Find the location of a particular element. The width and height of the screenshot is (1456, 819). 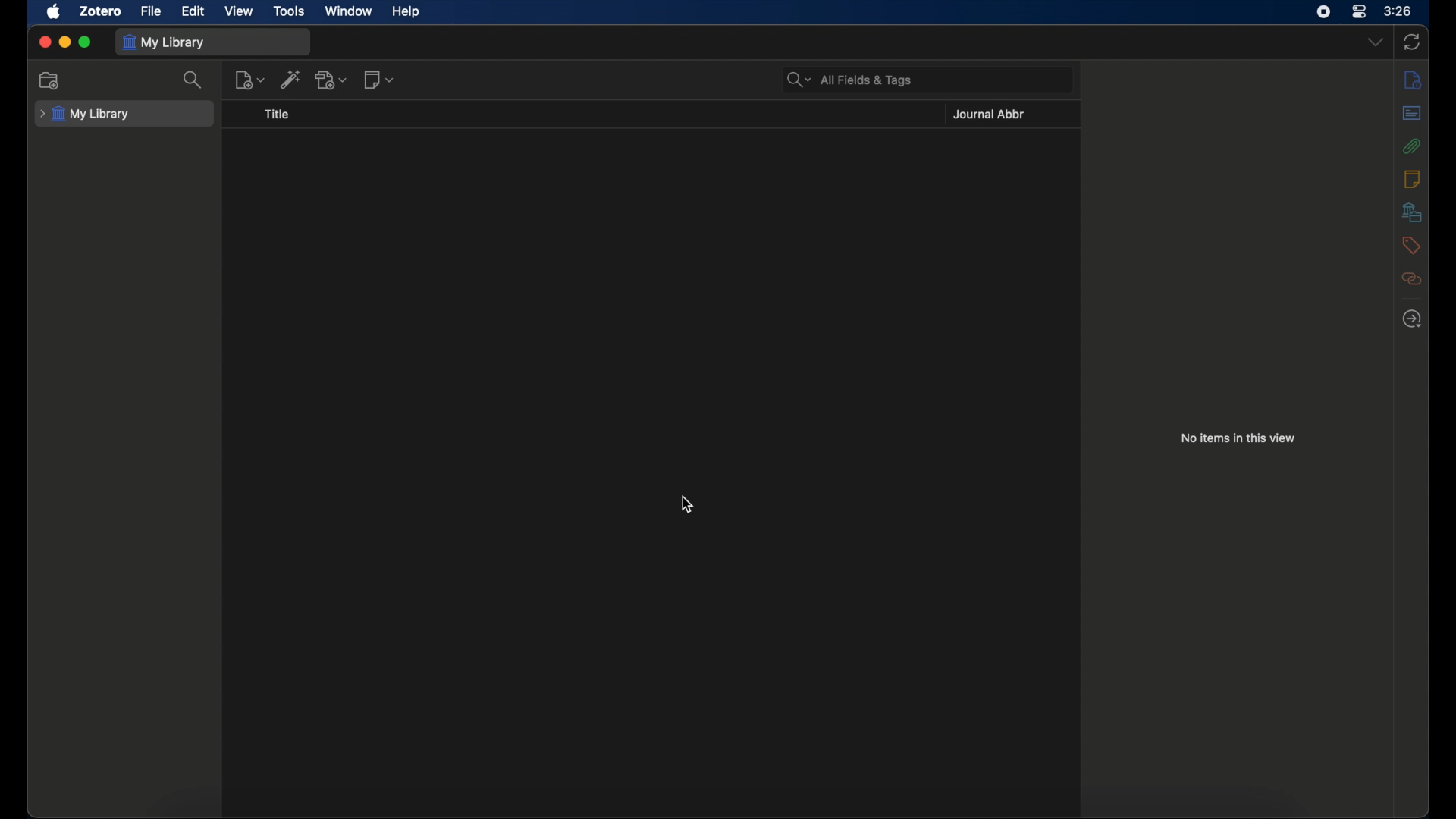

window is located at coordinates (347, 11).